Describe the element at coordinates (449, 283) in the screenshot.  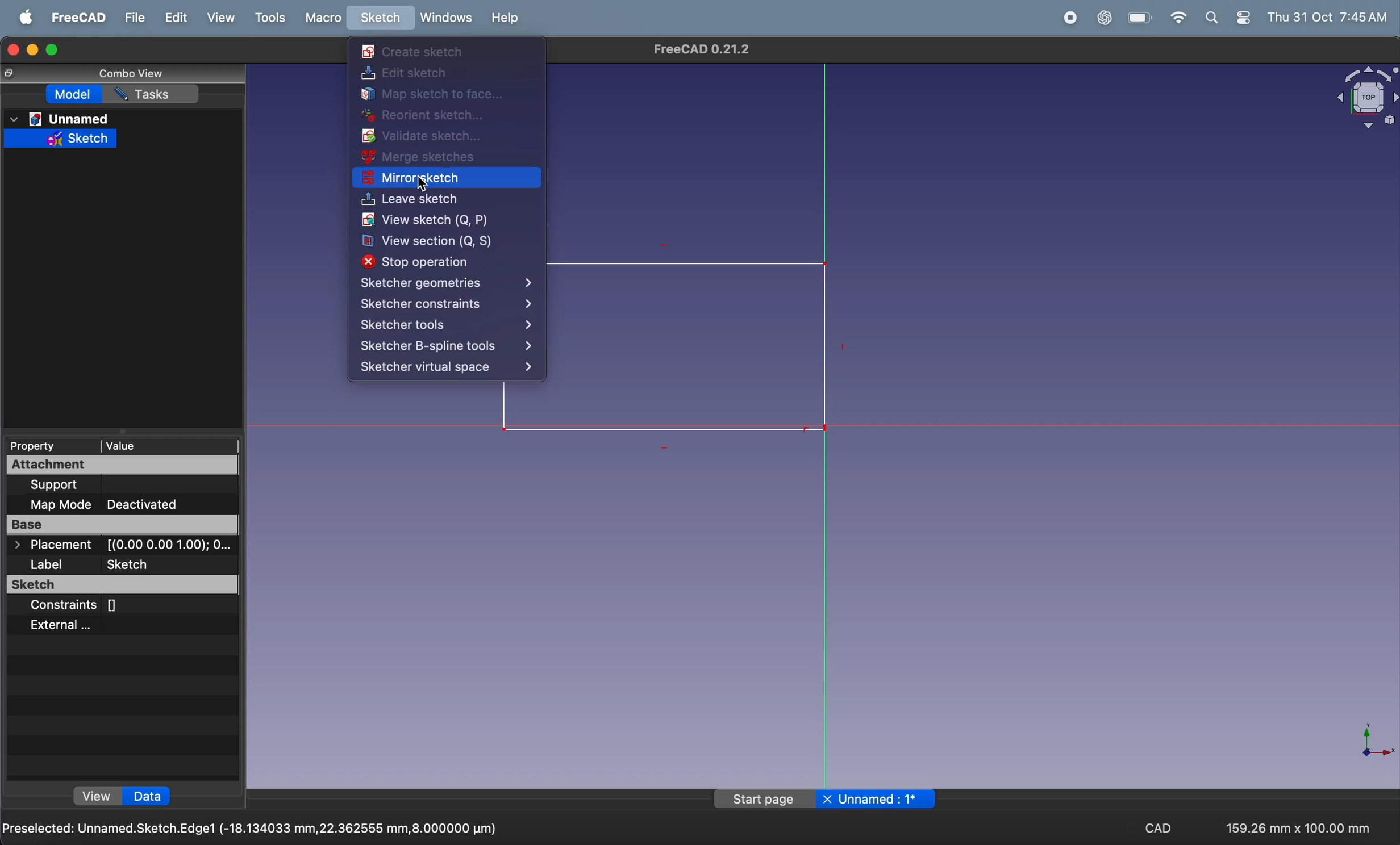
I see `sketcher geometries` at that location.